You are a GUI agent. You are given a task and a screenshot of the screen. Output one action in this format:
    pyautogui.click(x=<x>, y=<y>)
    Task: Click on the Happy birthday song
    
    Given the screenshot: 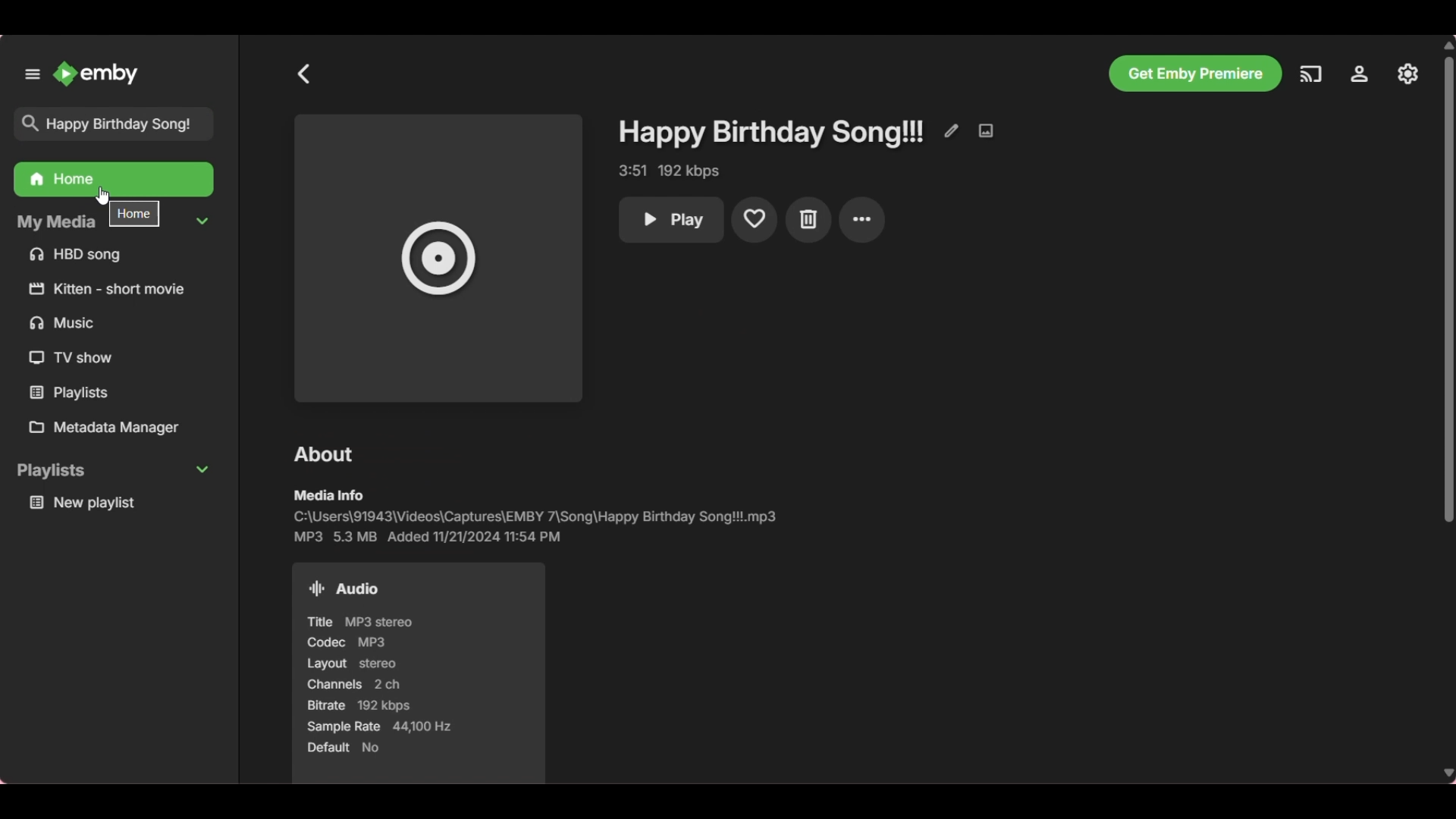 What is the action you would take?
    pyautogui.click(x=118, y=178)
    